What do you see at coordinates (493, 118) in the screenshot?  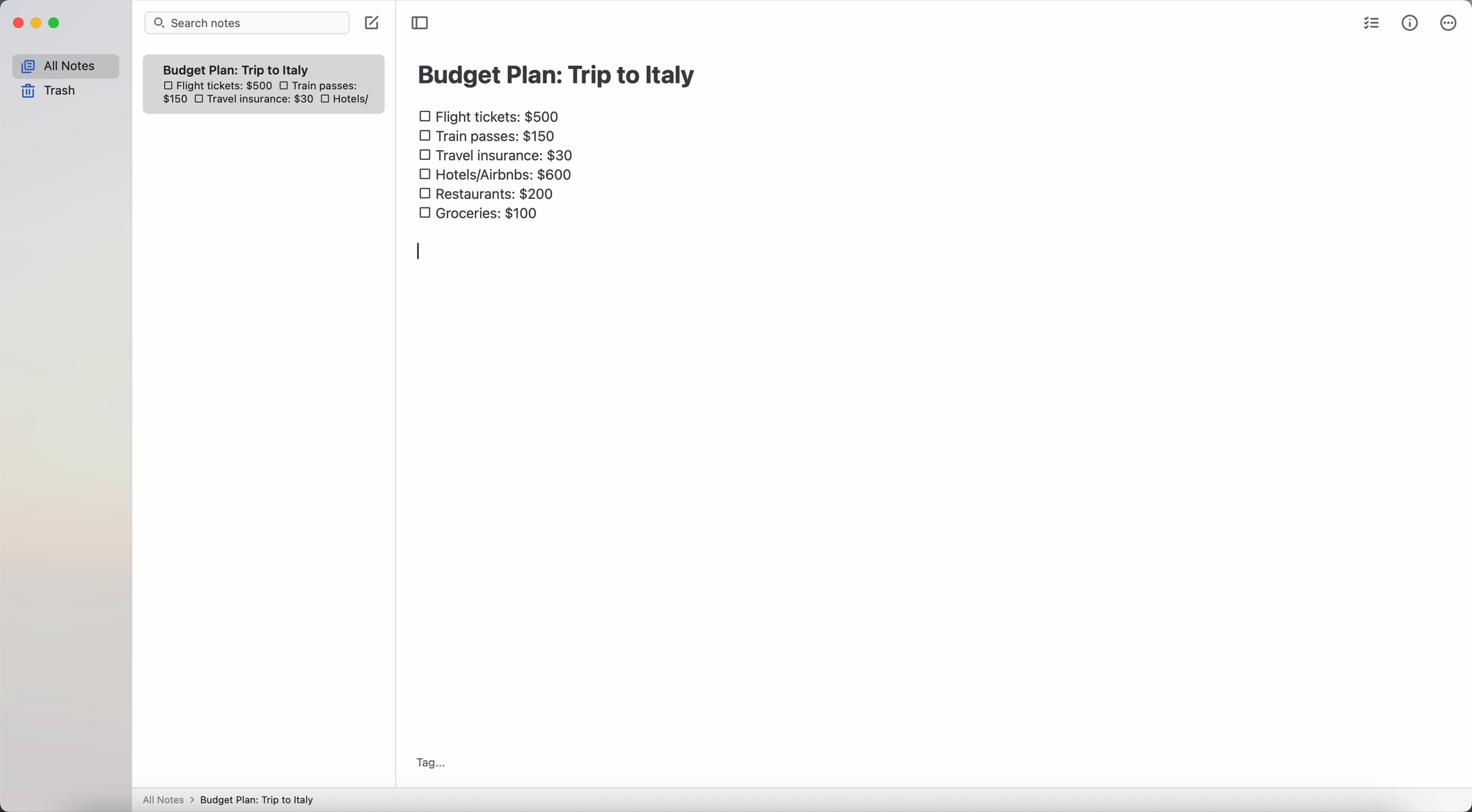 I see `flight tickets: $500 checkbox` at bounding box center [493, 118].